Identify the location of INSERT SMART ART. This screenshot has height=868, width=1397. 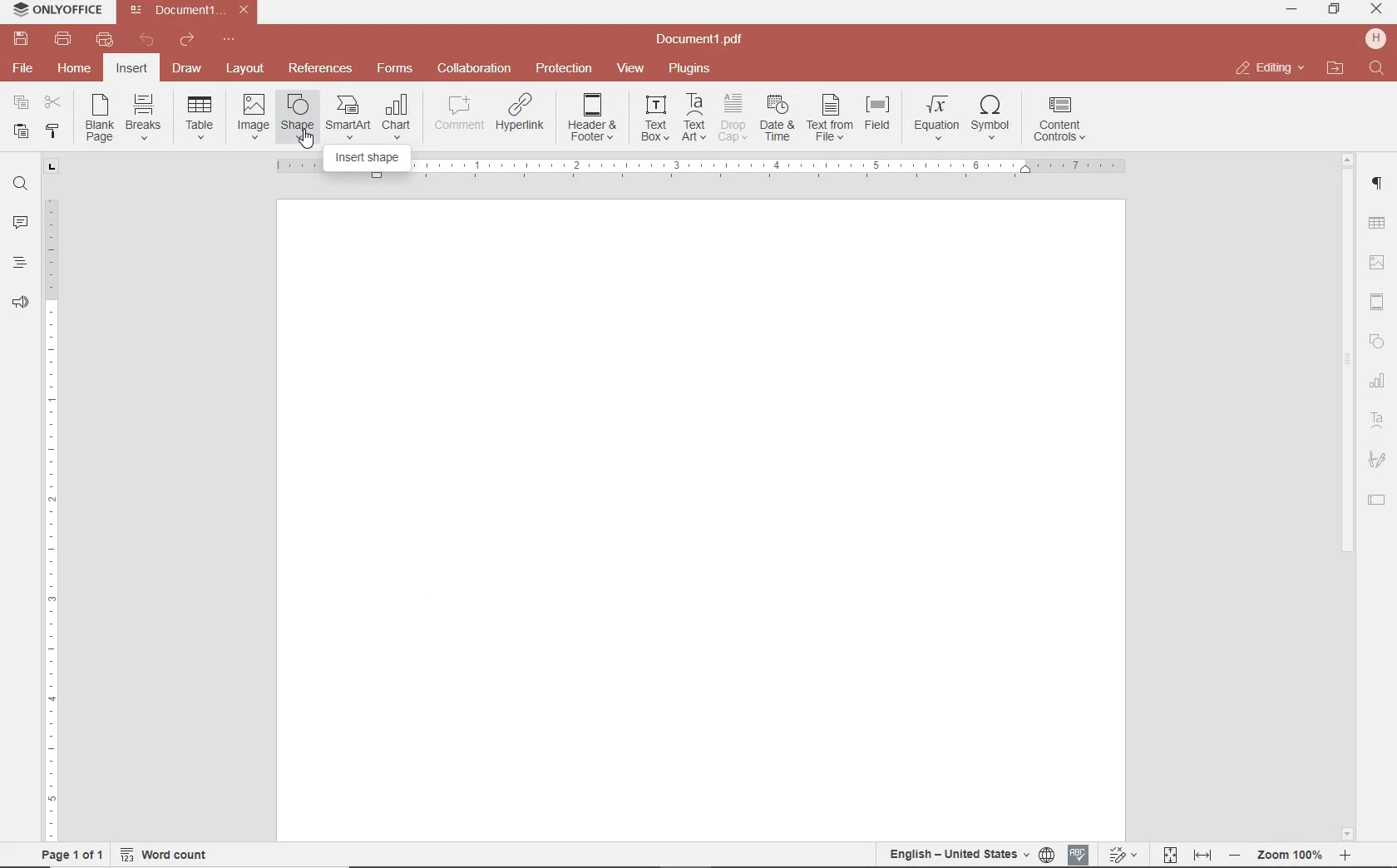
(348, 116).